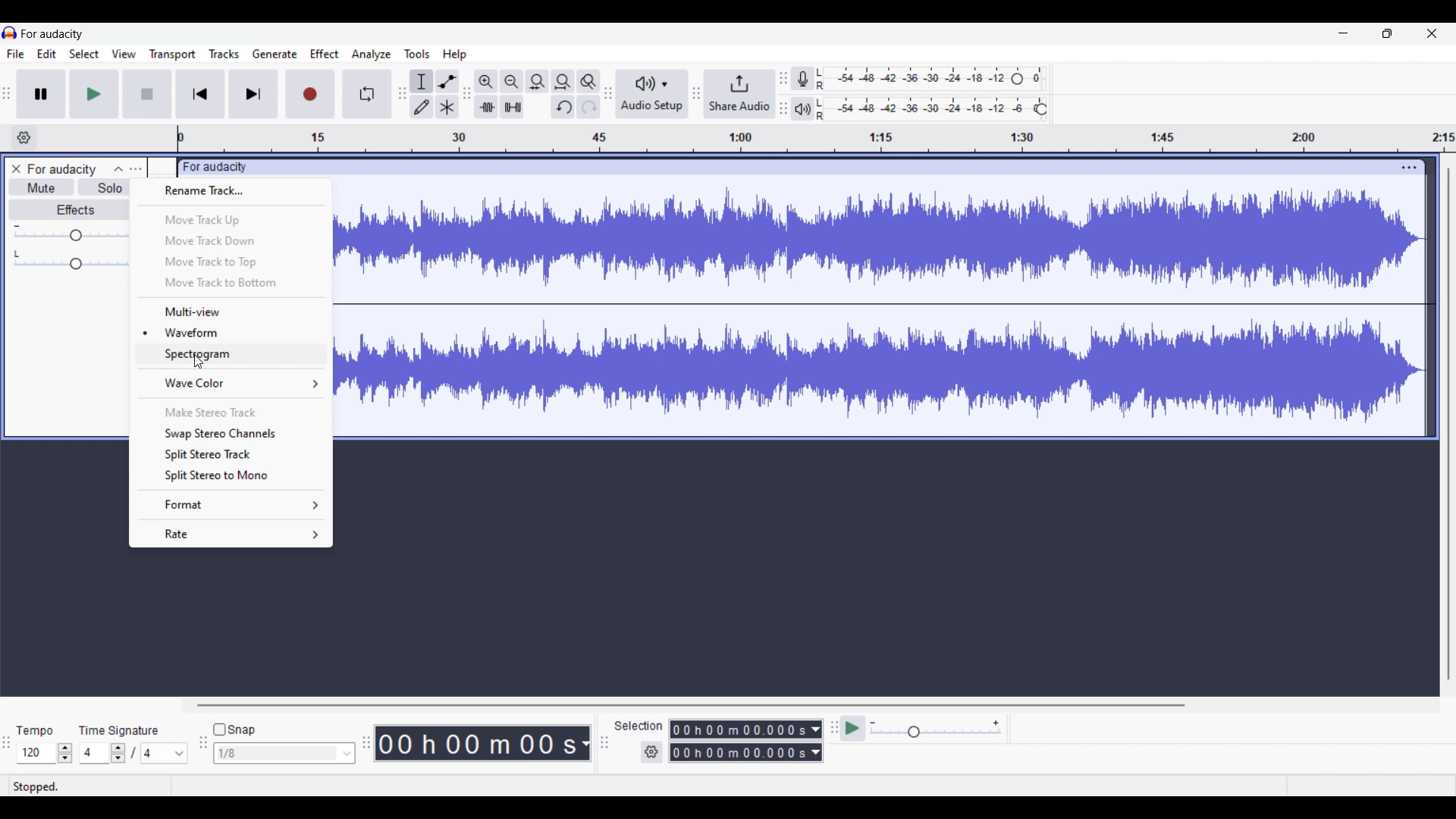 The height and width of the screenshot is (819, 1456). Describe the element at coordinates (422, 107) in the screenshot. I see `Draw tool` at that location.